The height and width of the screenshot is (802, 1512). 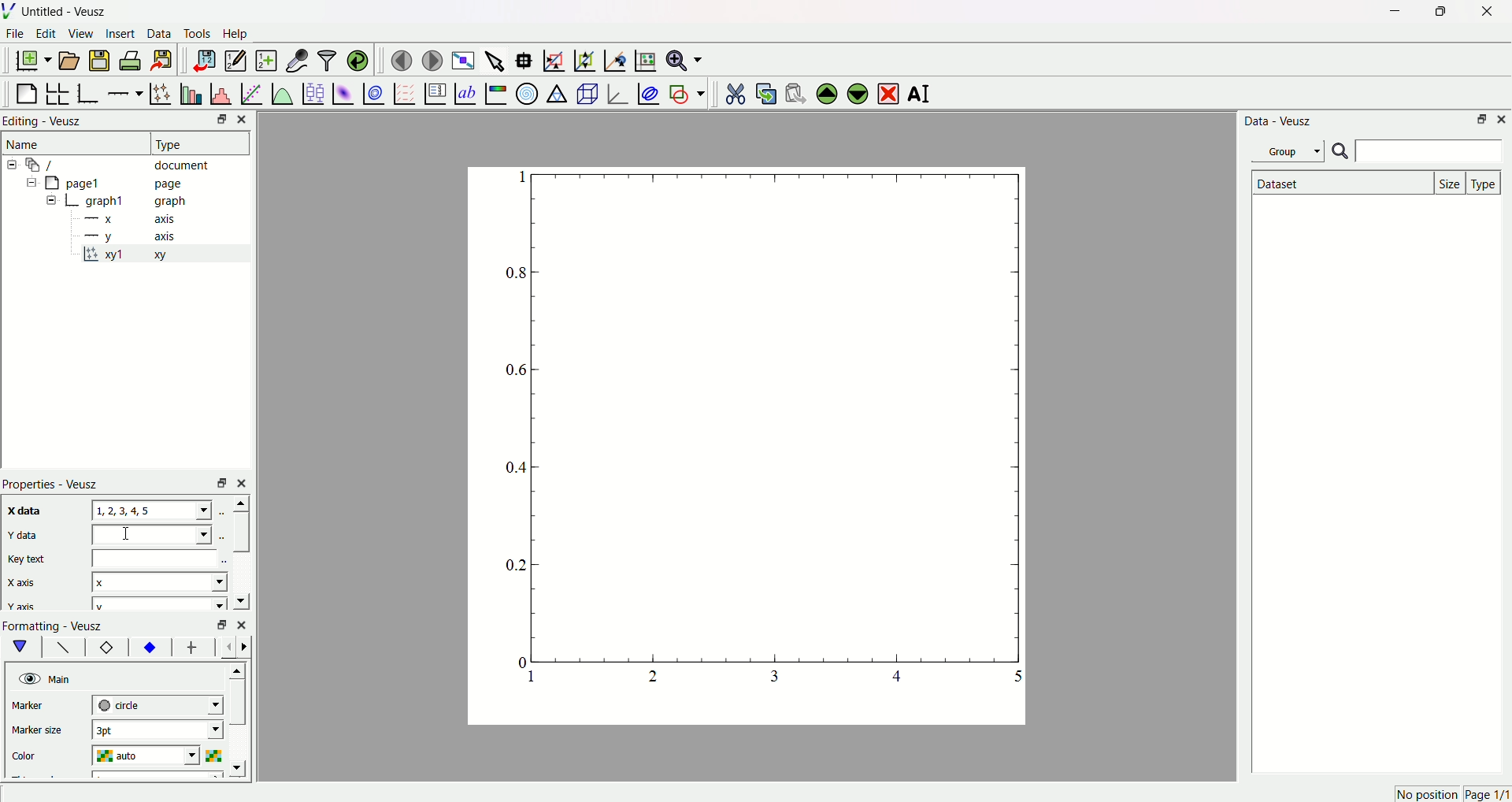 What do you see at coordinates (1291, 150) in the screenshot?
I see `Group` at bounding box center [1291, 150].